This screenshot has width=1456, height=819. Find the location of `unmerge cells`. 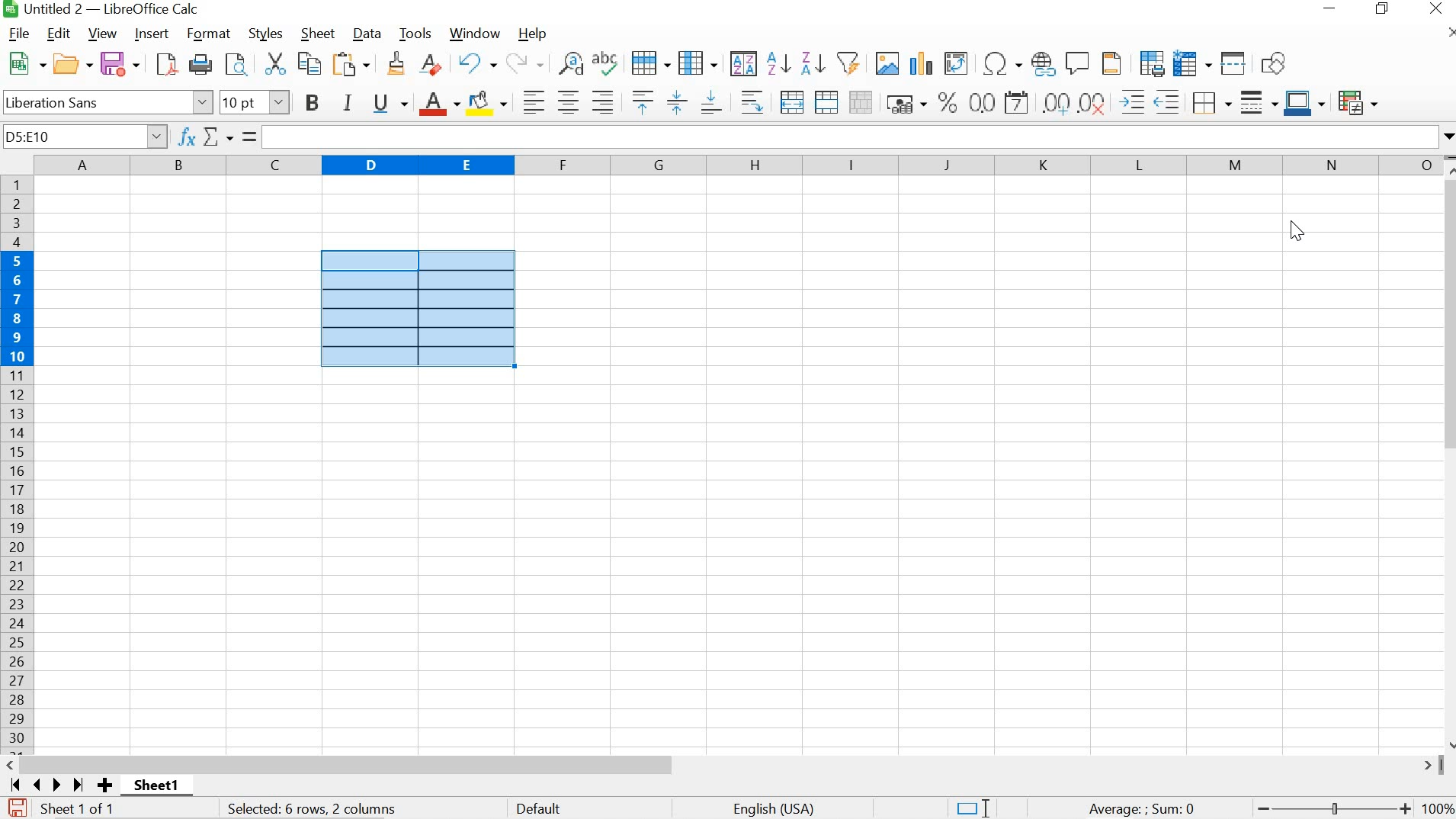

unmerge cells is located at coordinates (861, 102).